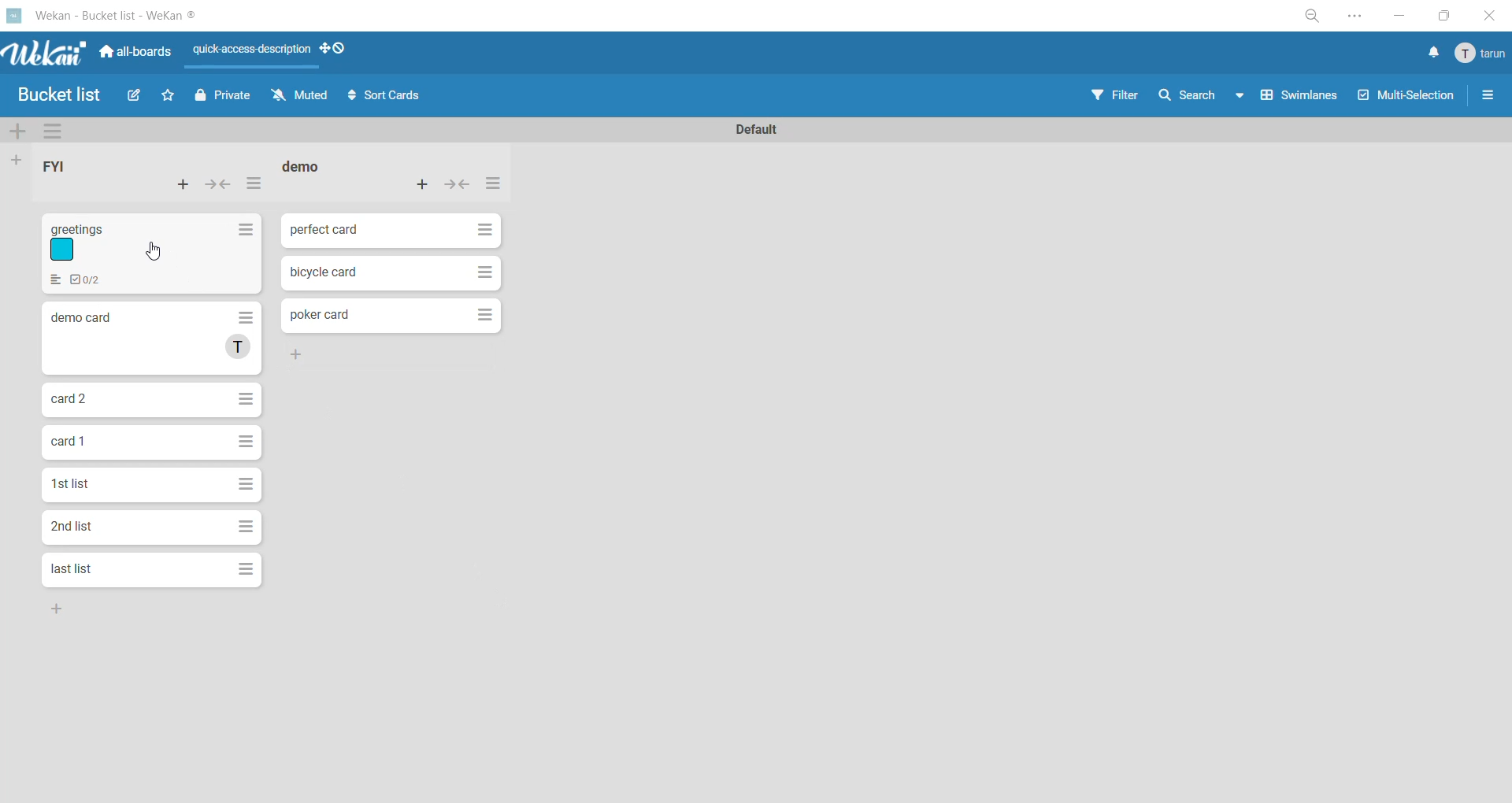 This screenshot has height=803, width=1512. I want to click on FYI, so click(55, 164).